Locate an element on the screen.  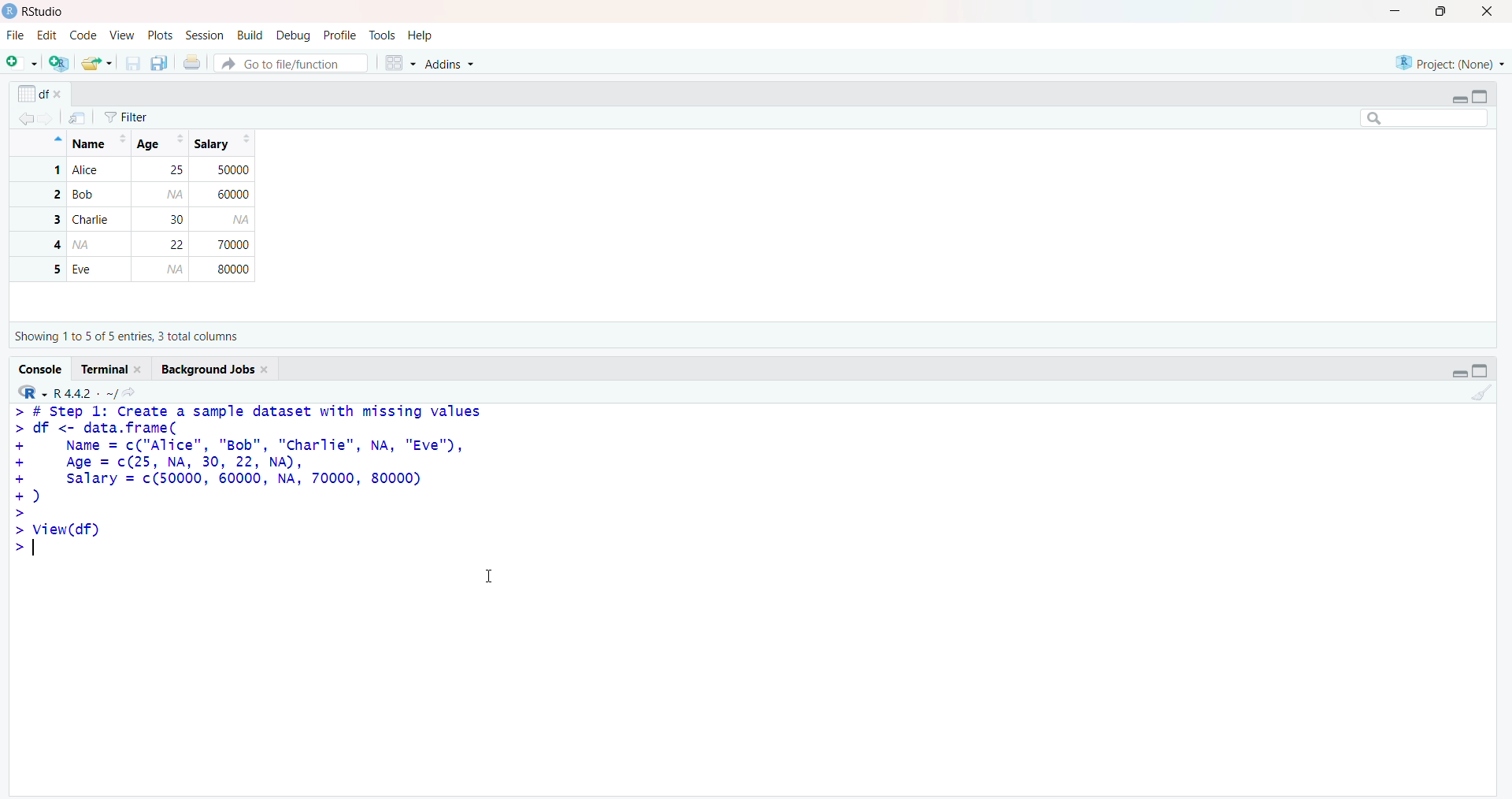
Maximize is located at coordinates (1444, 12).